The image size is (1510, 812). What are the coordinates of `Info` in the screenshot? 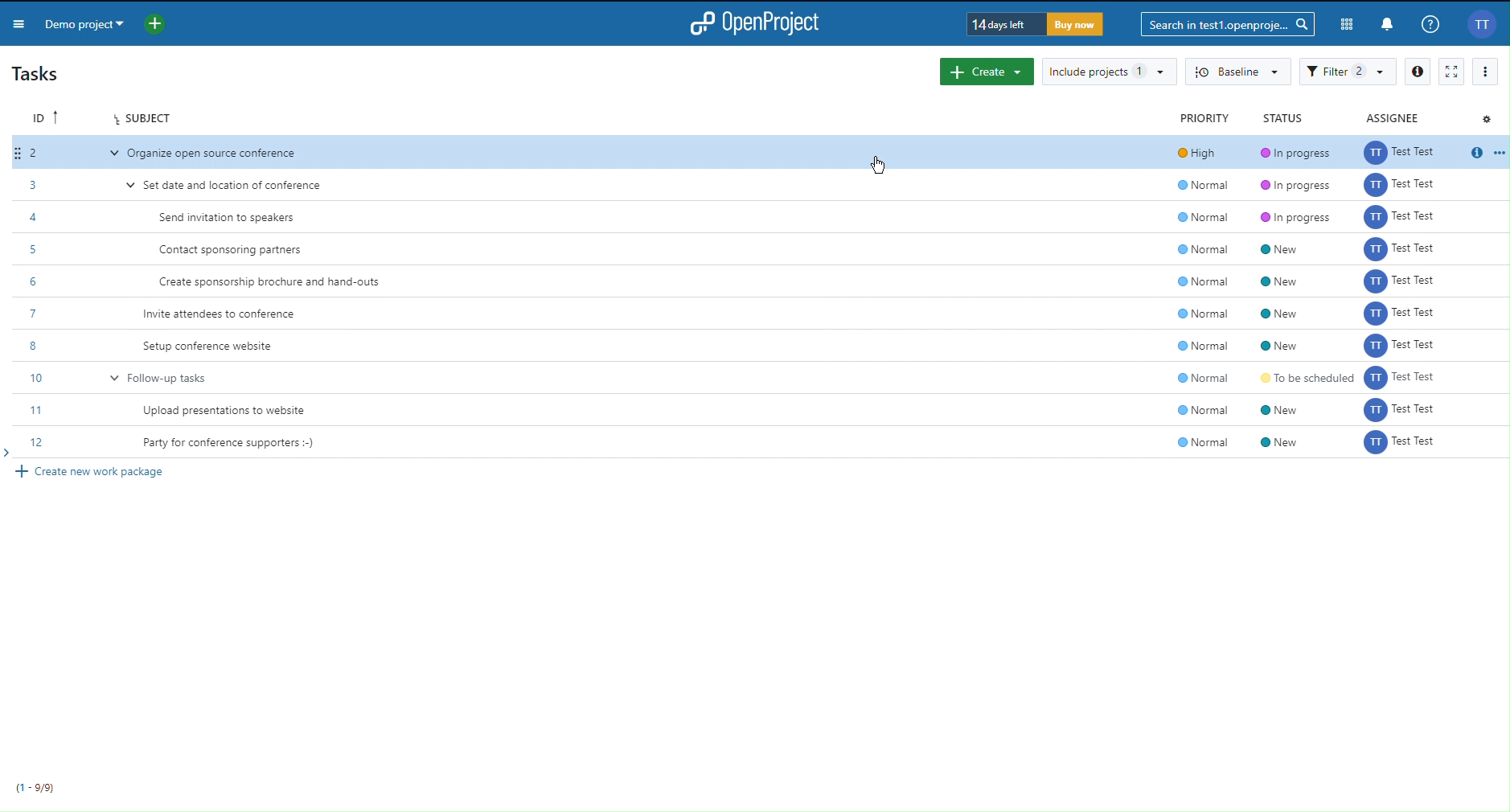 It's located at (1418, 72).